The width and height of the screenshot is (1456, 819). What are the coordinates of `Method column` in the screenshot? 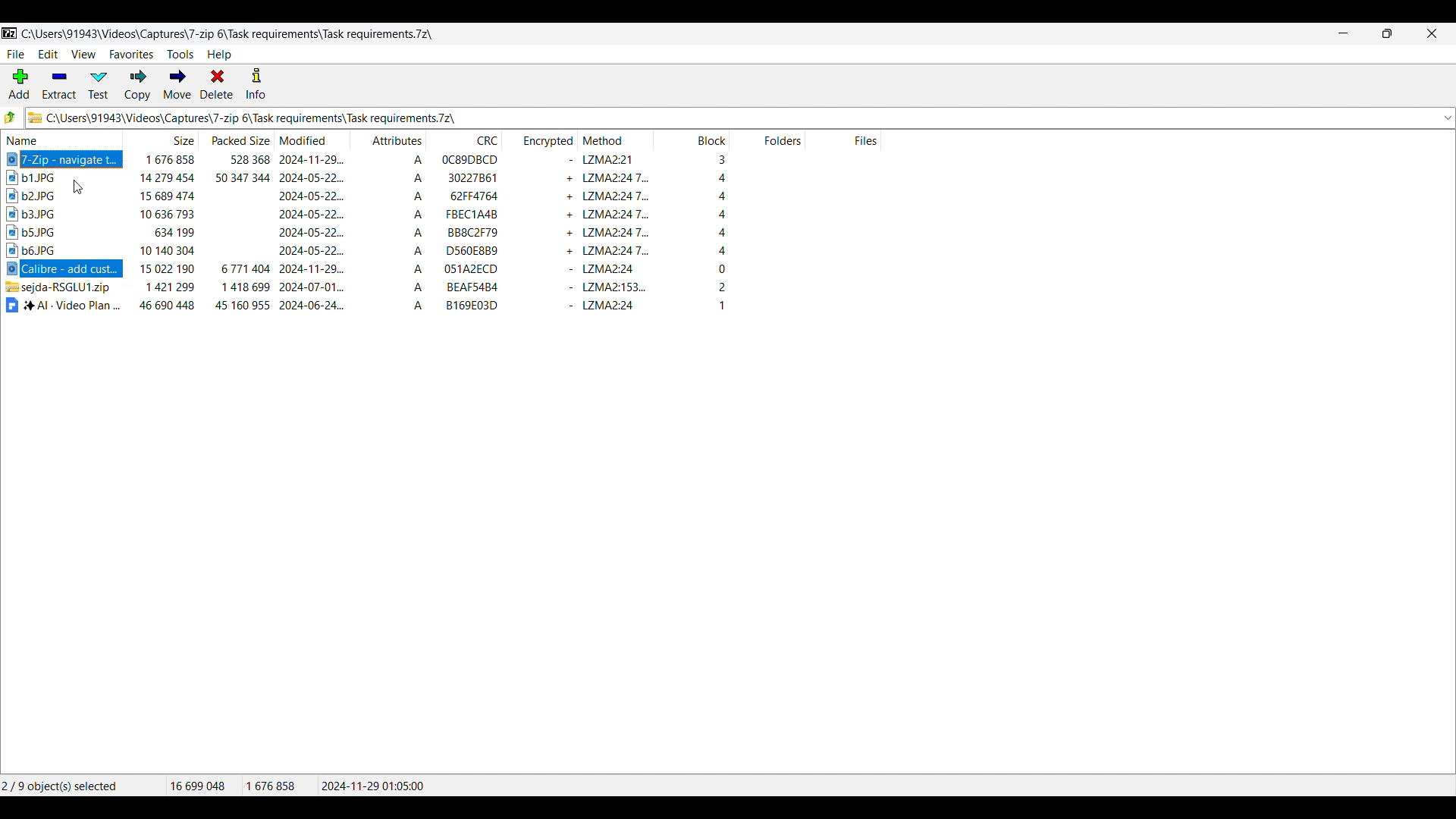 It's located at (617, 139).